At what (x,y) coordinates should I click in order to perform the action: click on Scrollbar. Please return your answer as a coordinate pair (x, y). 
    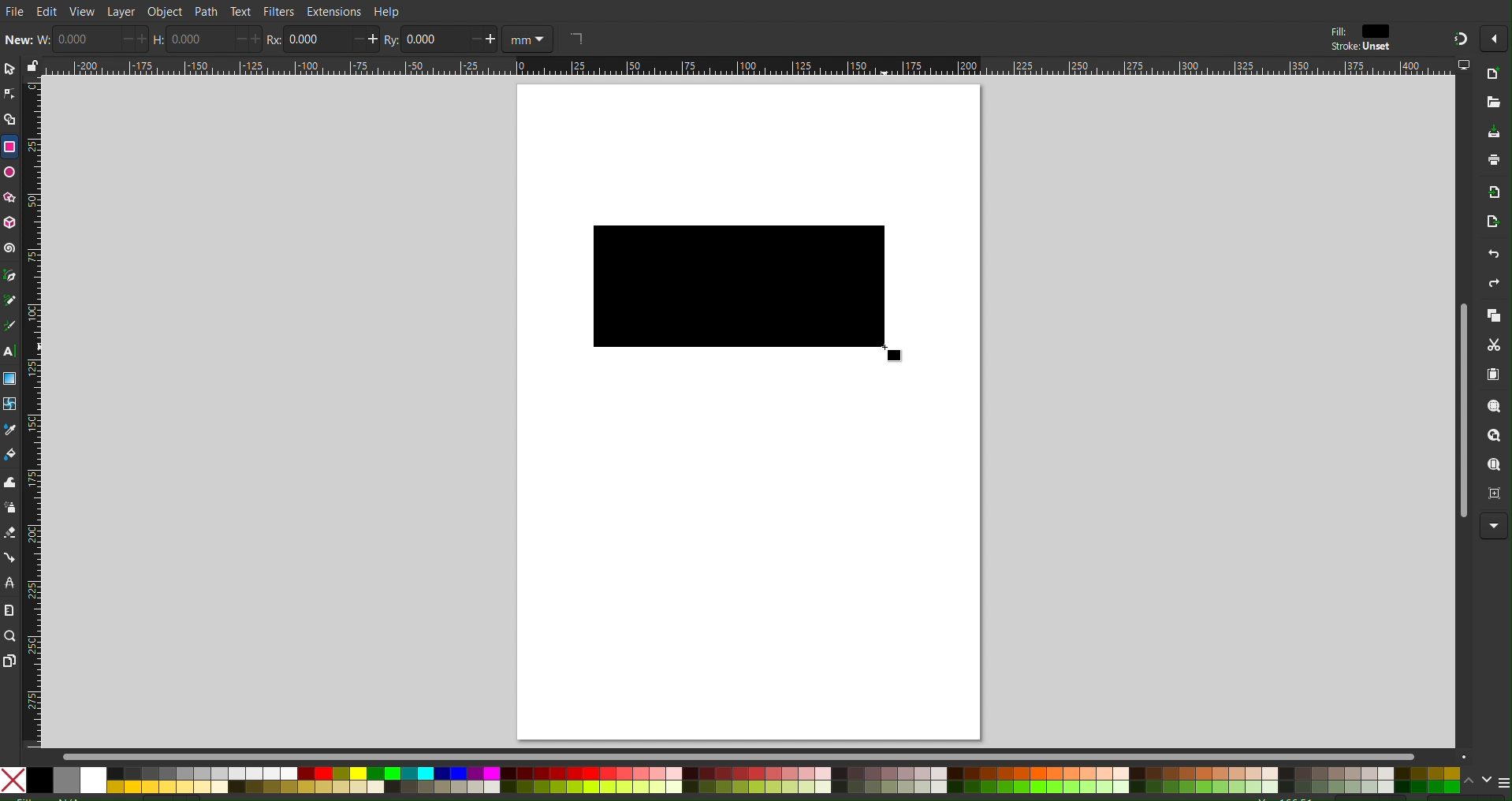
    Looking at the image, I should click on (757, 754).